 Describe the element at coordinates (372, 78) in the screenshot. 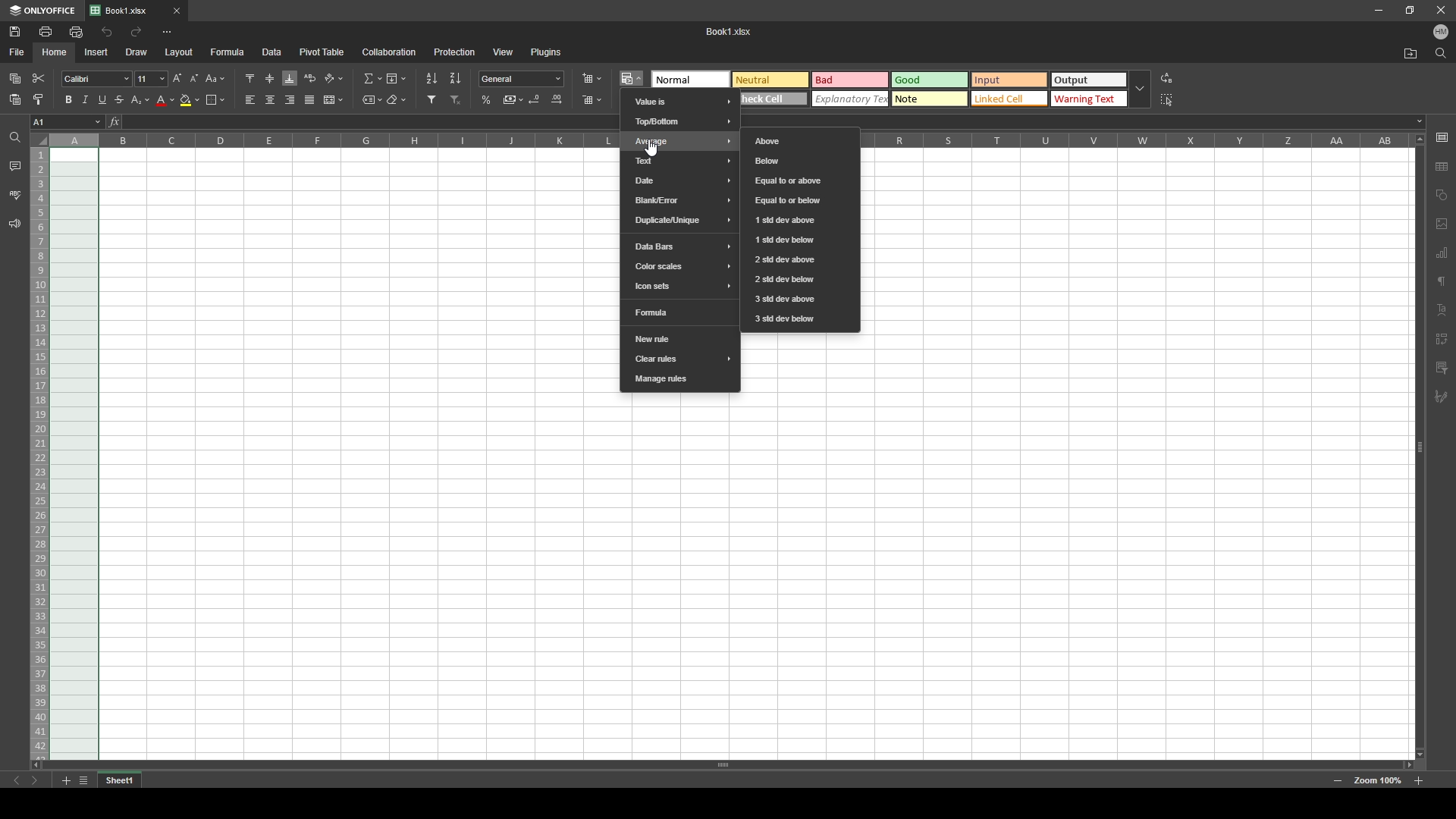

I see `summation` at that location.